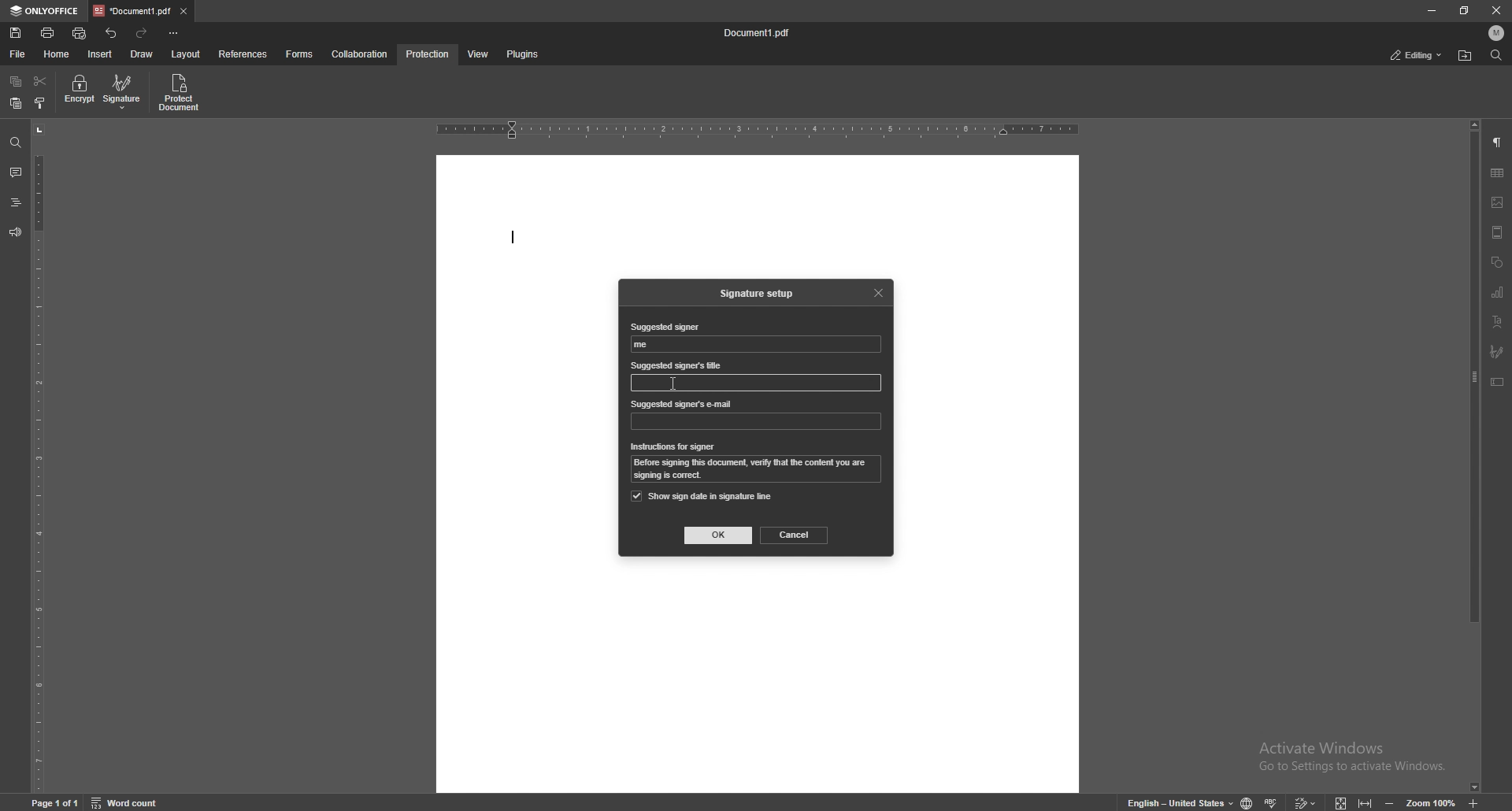 This screenshot has width=1512, height=811. Describe the element at coordinates (184, 10) in the screenshot. I see `close tab` at that location.